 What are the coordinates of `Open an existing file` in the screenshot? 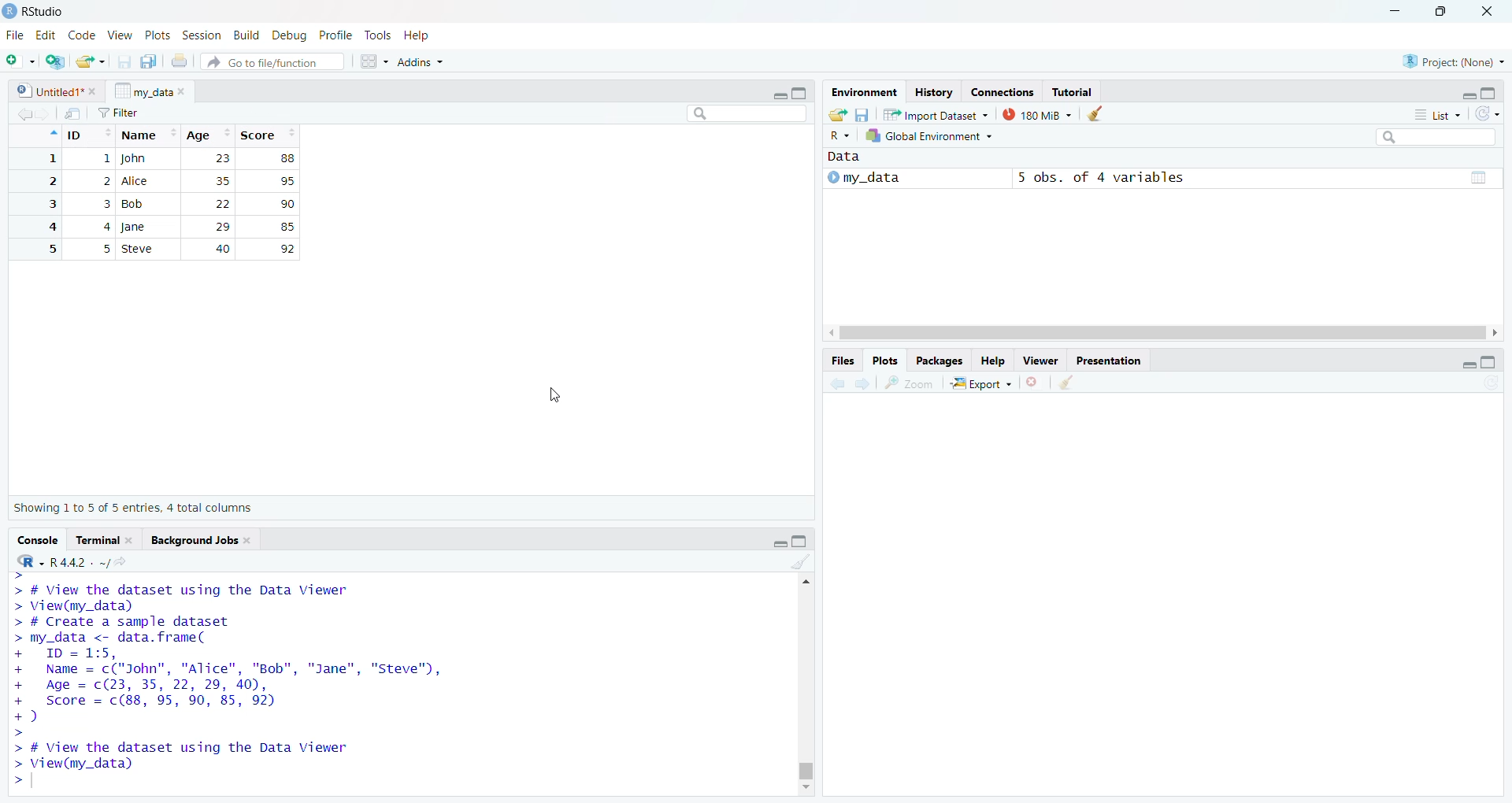 It's located at (93, 62).